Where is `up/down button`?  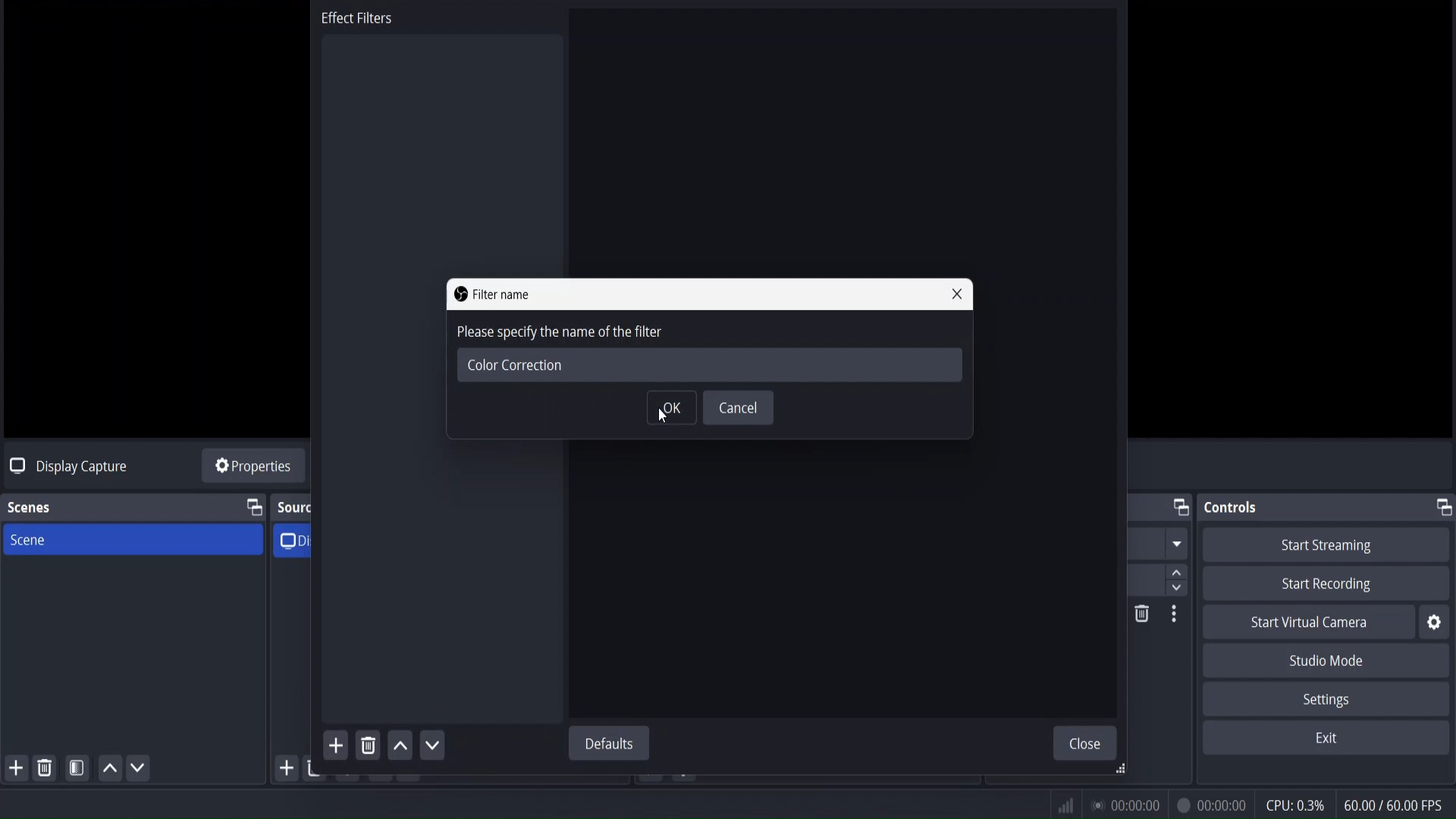
up/down button is located at coordinates (1181, 560).